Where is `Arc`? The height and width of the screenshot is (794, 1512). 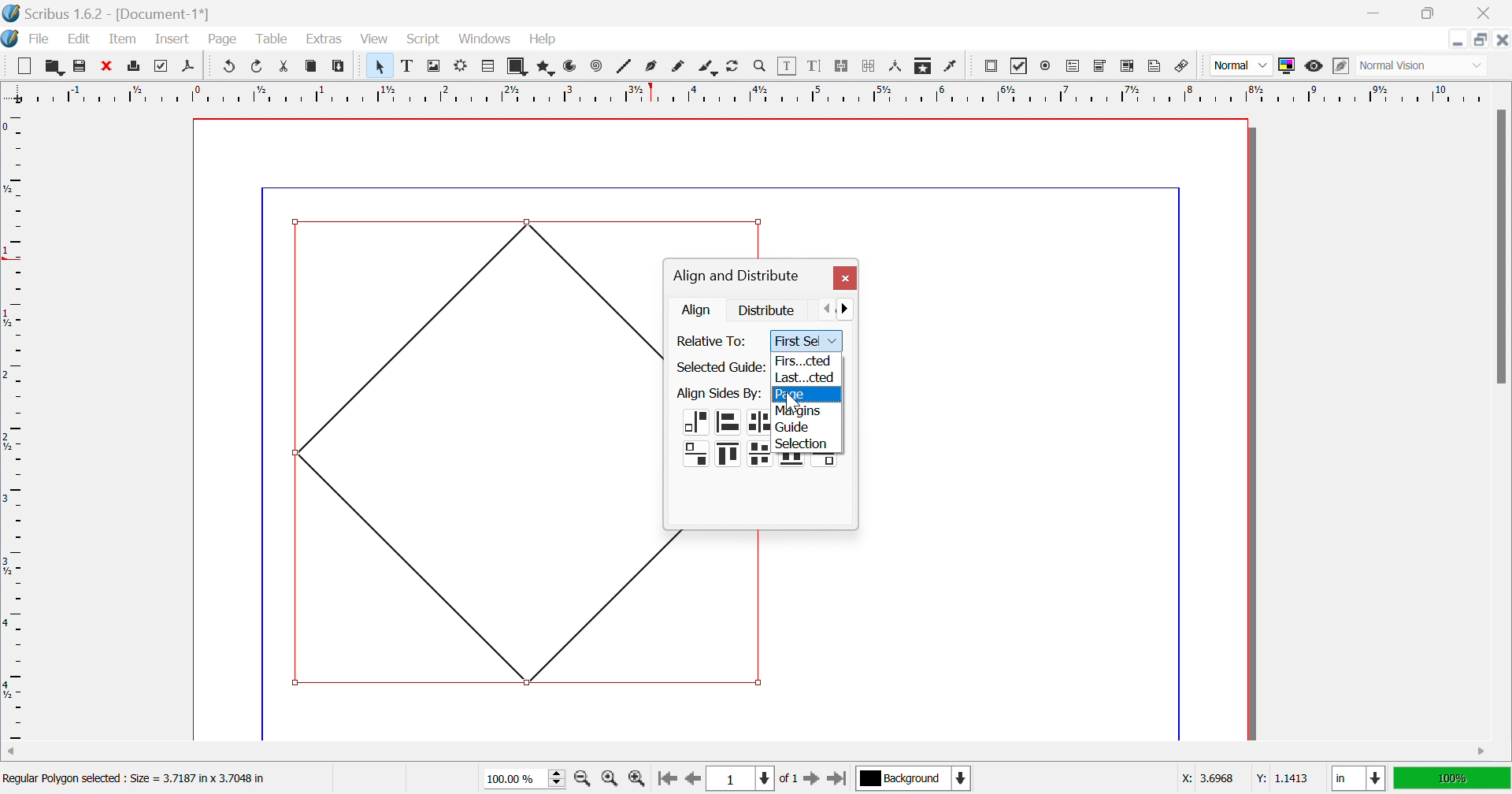 Arc is located at coordinates (570, 65).